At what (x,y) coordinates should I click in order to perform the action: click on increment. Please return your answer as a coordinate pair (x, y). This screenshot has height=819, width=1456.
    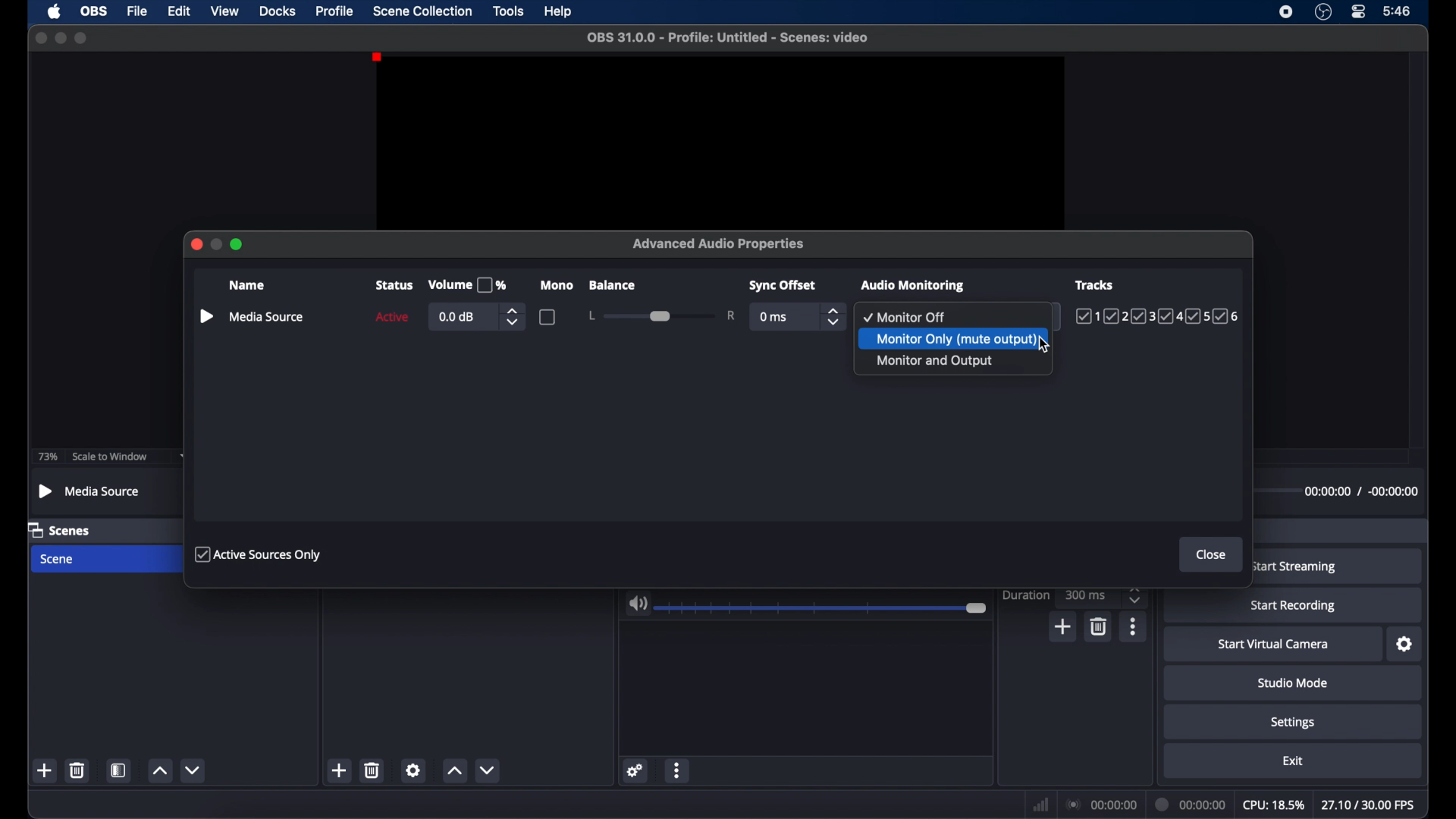
    Looking at the image, I should click on (159, 771).